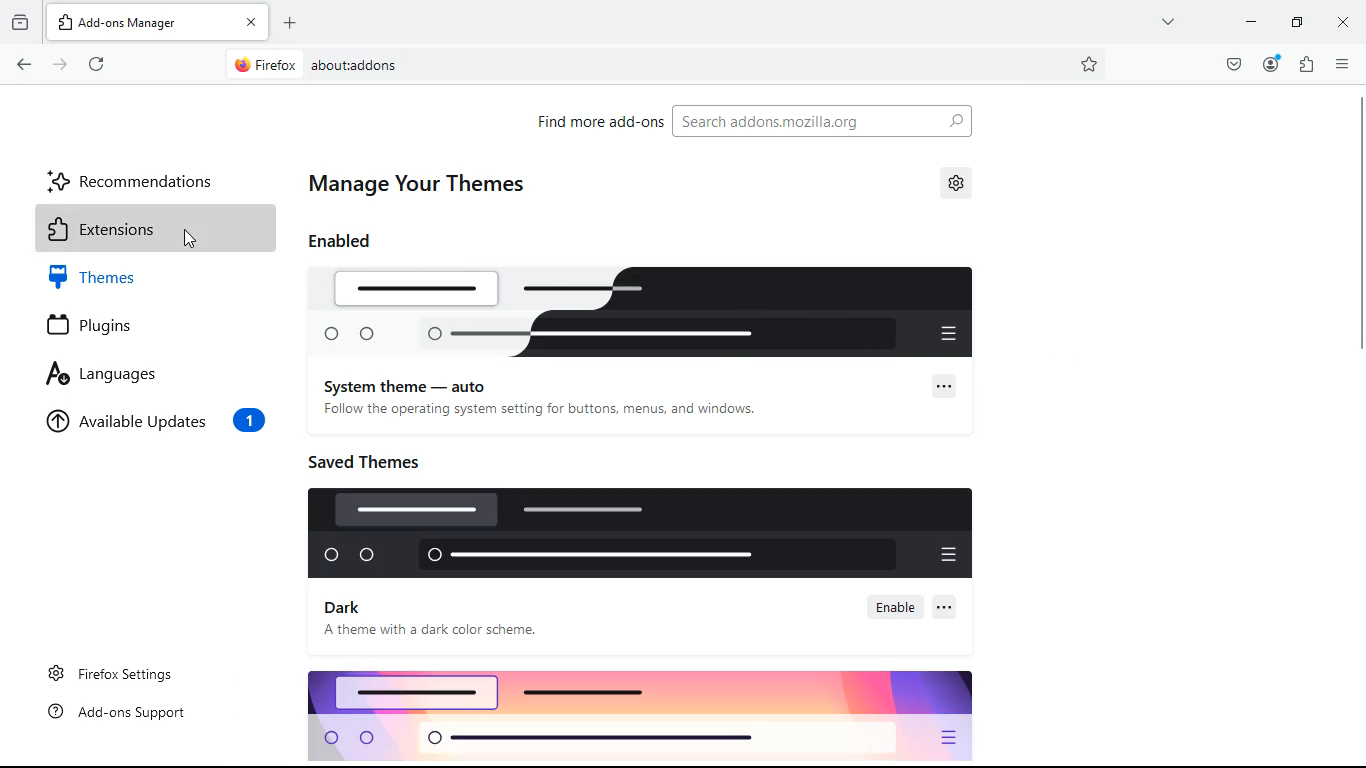 The image size is (1366, 768). Describe the element at coordinates (290, 23) in the screenshot. I see `open new tab` at that location.